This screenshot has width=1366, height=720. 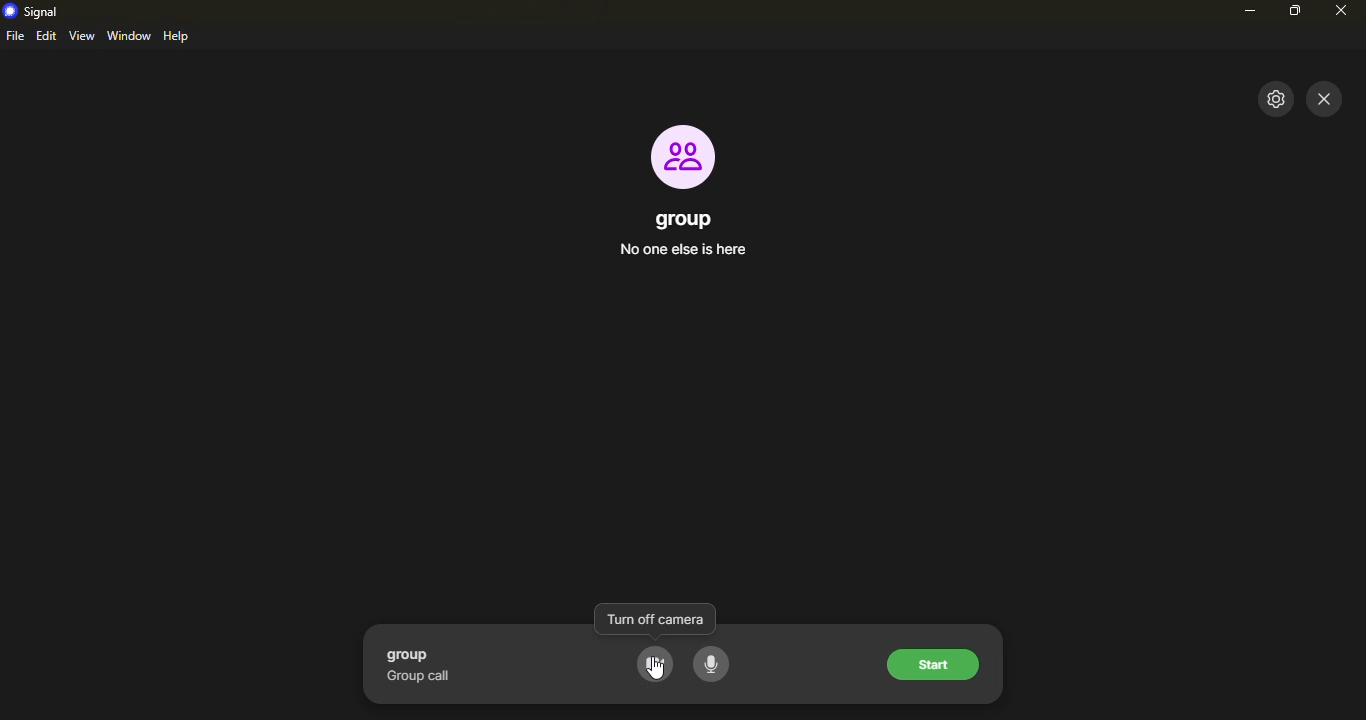 I want to click on group, so click(x=691, y=222).